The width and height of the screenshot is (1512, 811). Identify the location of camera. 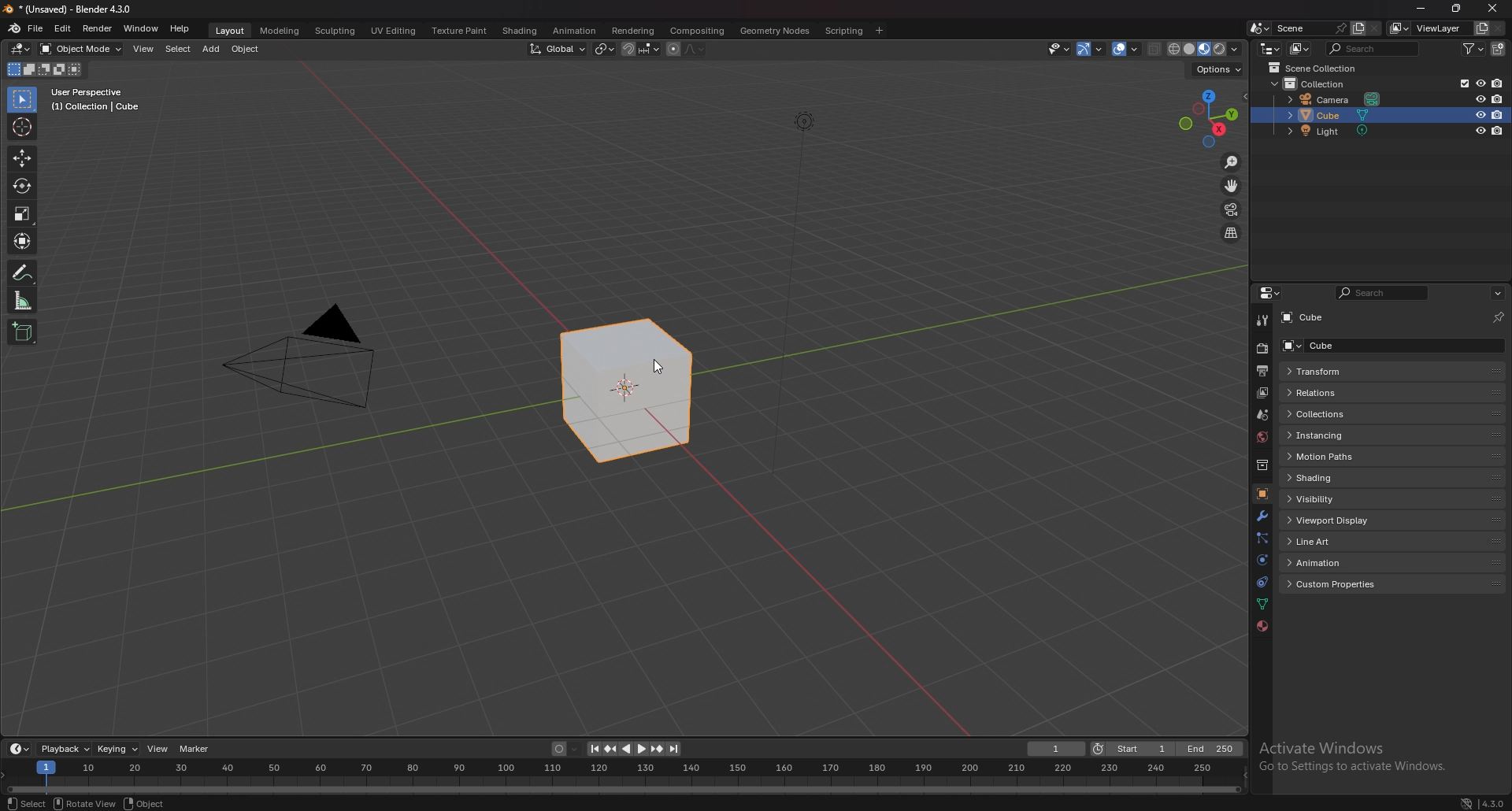
(1332, 99).